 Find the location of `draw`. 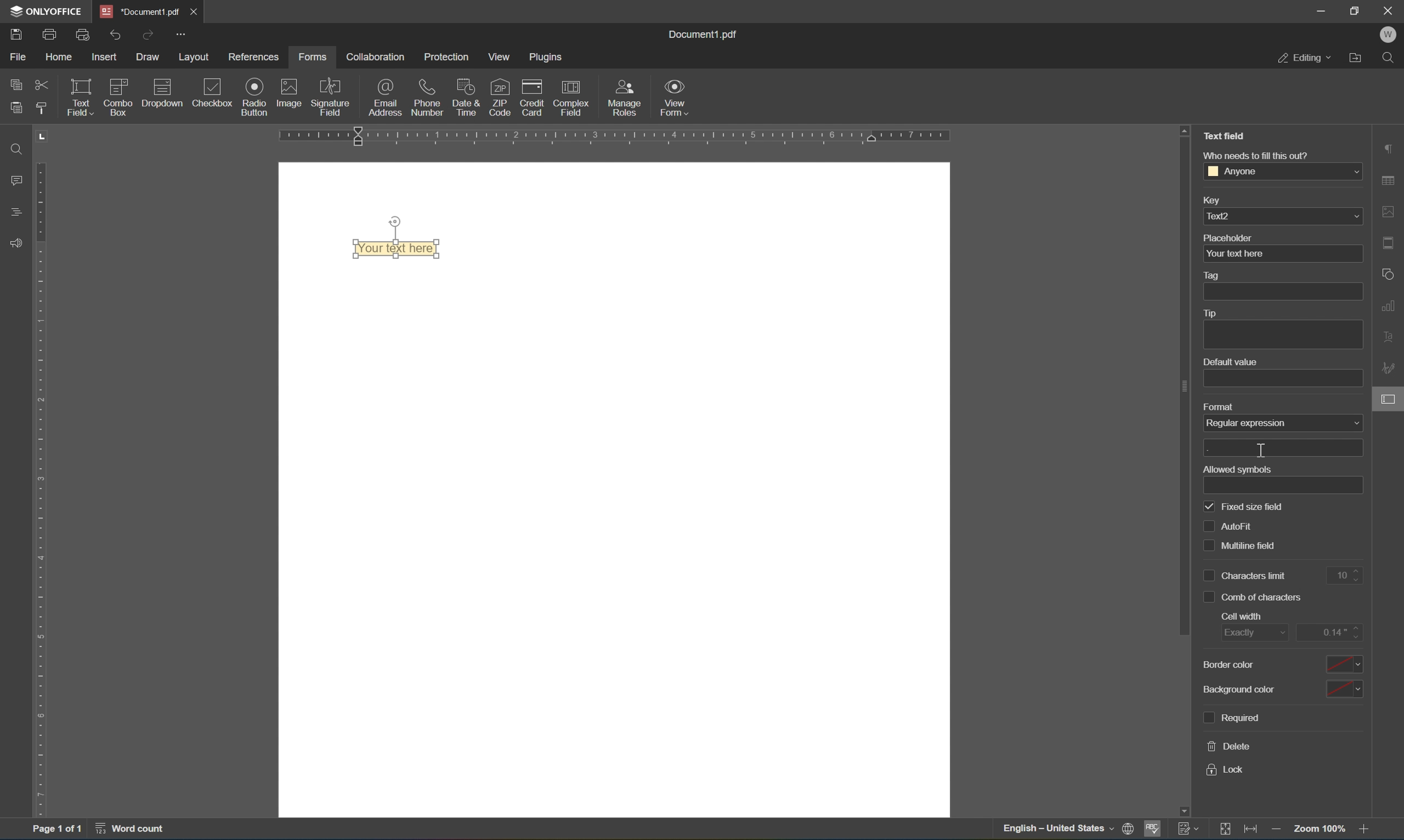

draw is located at coordinates (149, 58).